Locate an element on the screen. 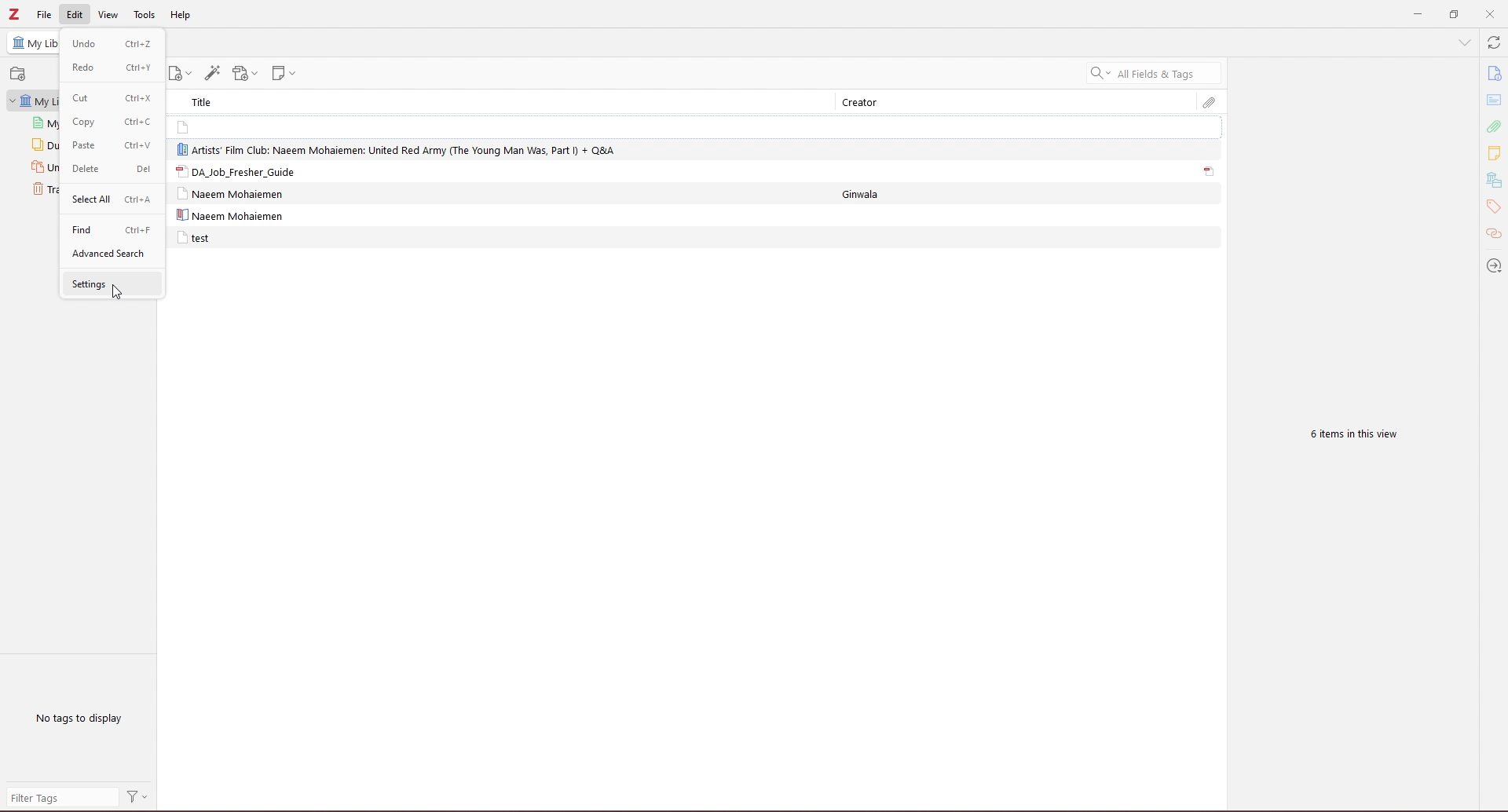 The image size is (1508, 812). filter is located at coordinates (138, 798).